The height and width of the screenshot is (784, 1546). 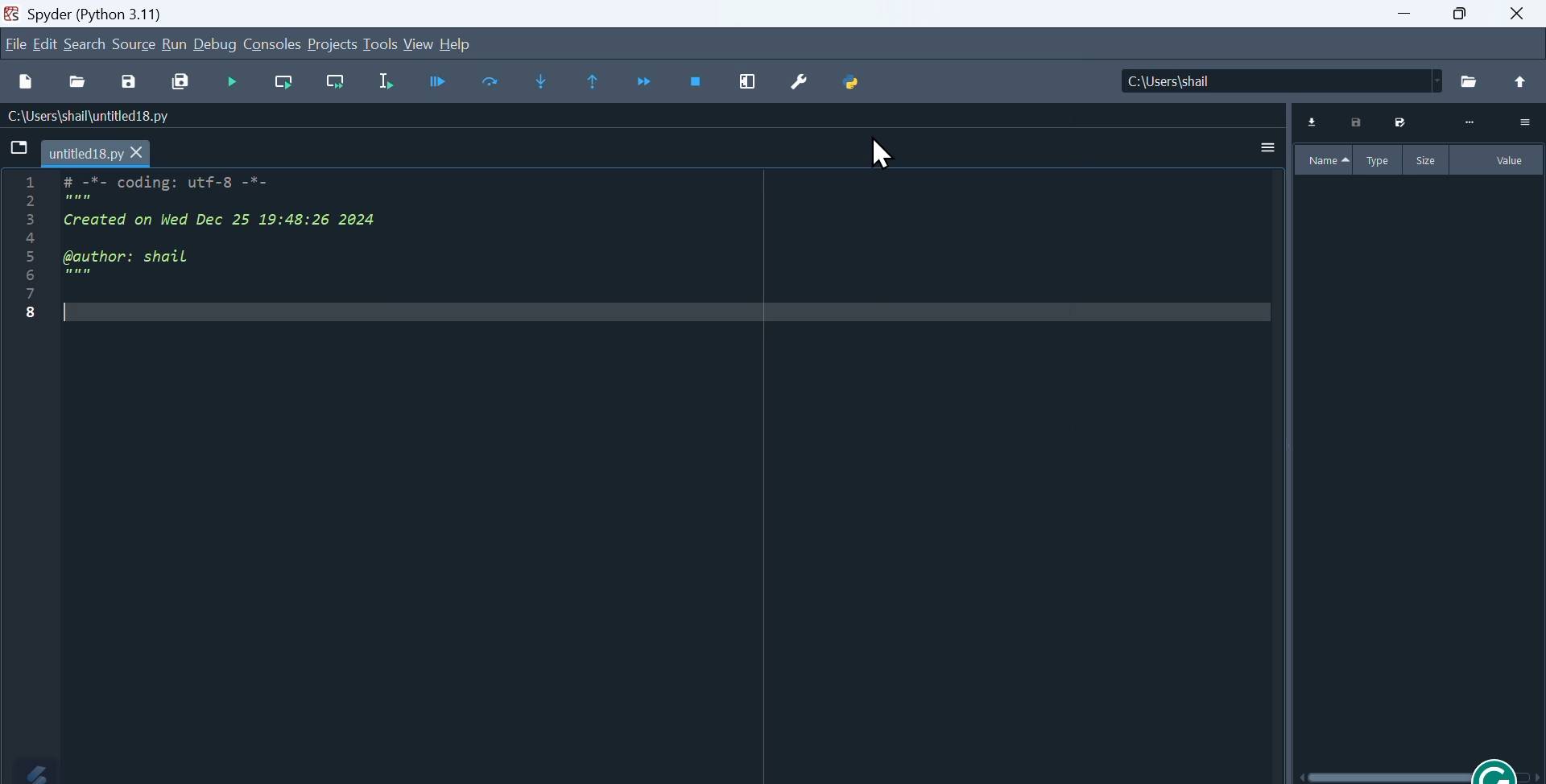 I want to click on Debug, so click(x=217, y=43).